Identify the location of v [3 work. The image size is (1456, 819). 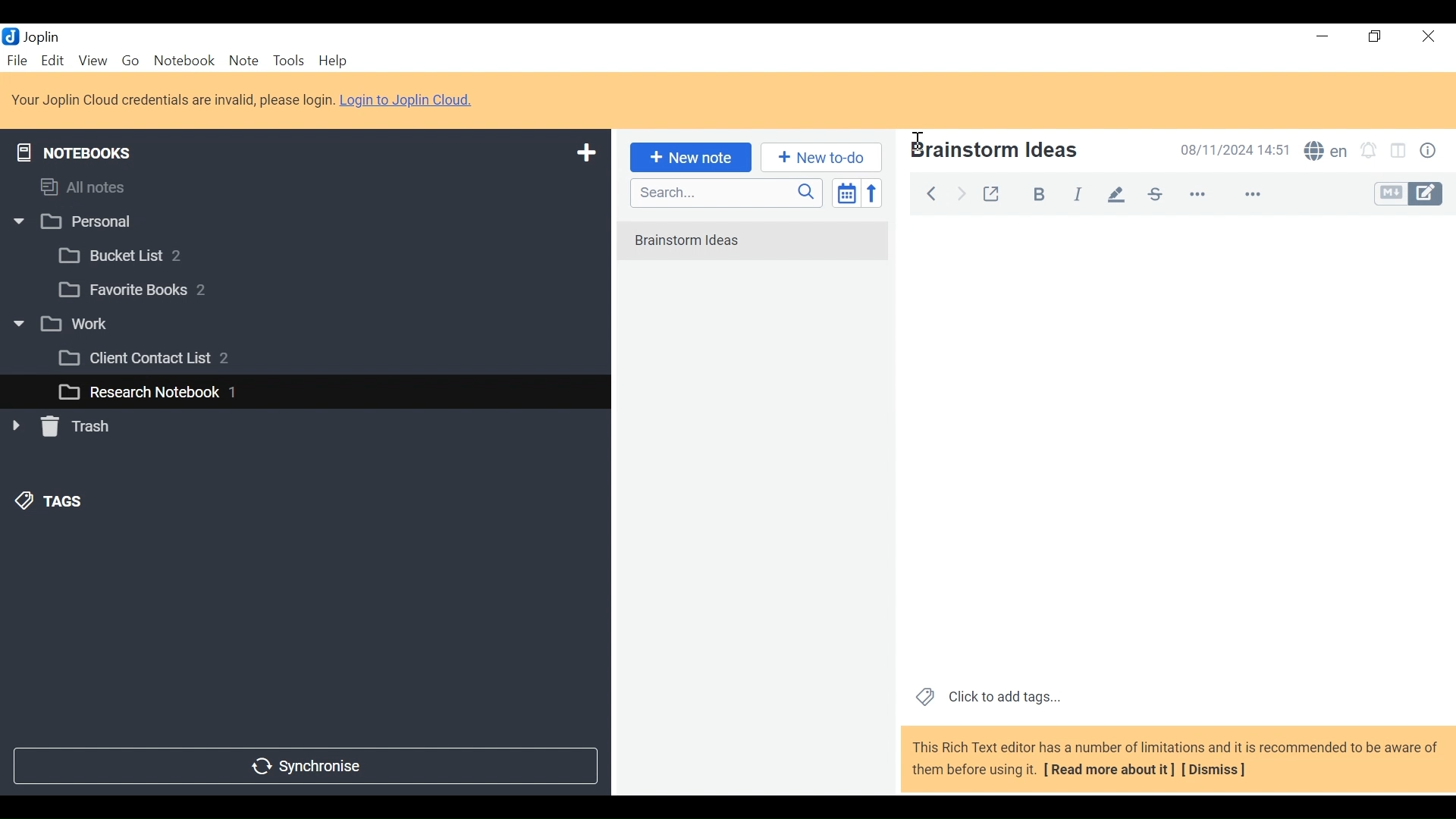
(78, 325).